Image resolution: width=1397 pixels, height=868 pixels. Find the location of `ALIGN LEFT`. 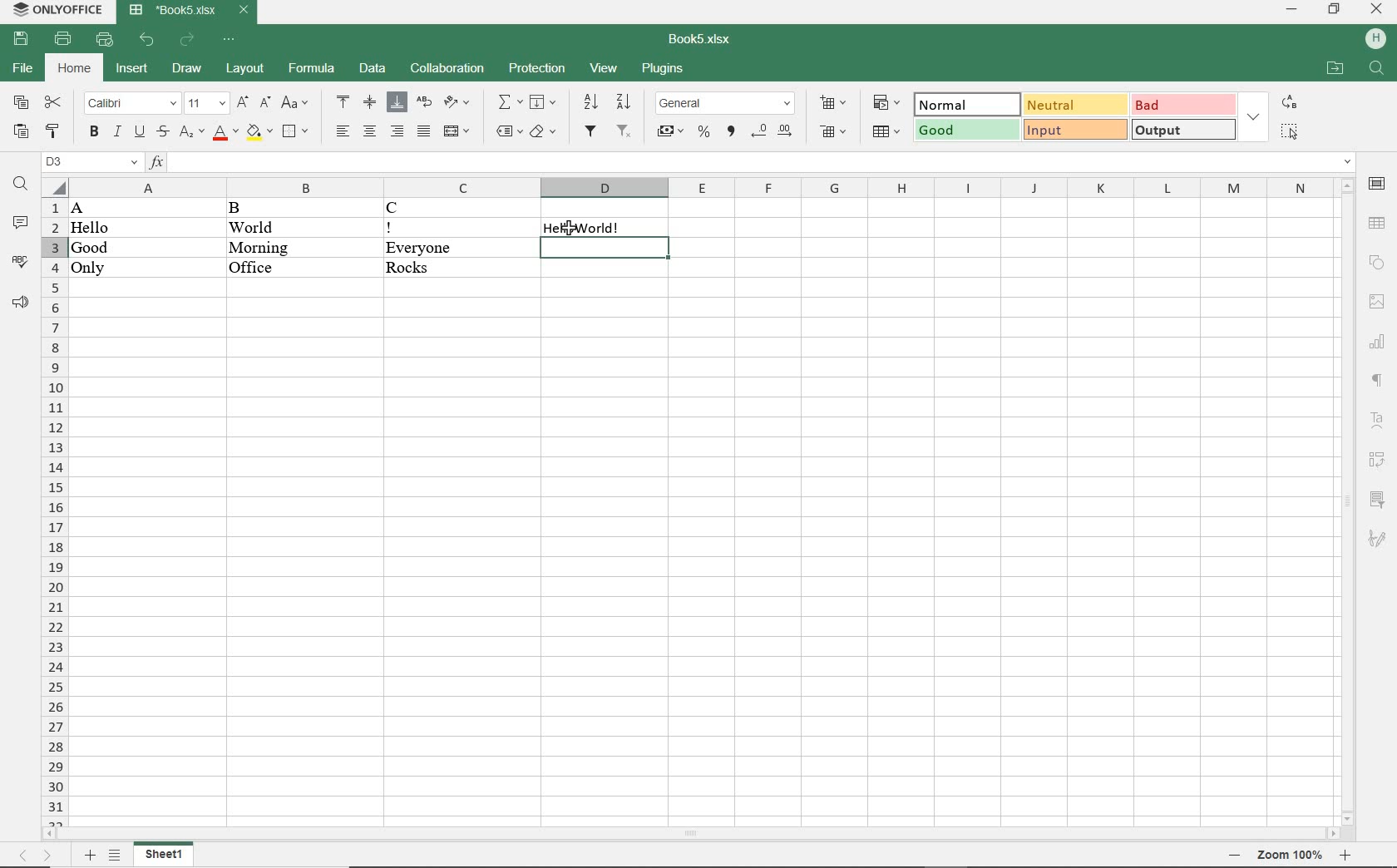

ALIGN LEFT is located at coordinates (343, 131).